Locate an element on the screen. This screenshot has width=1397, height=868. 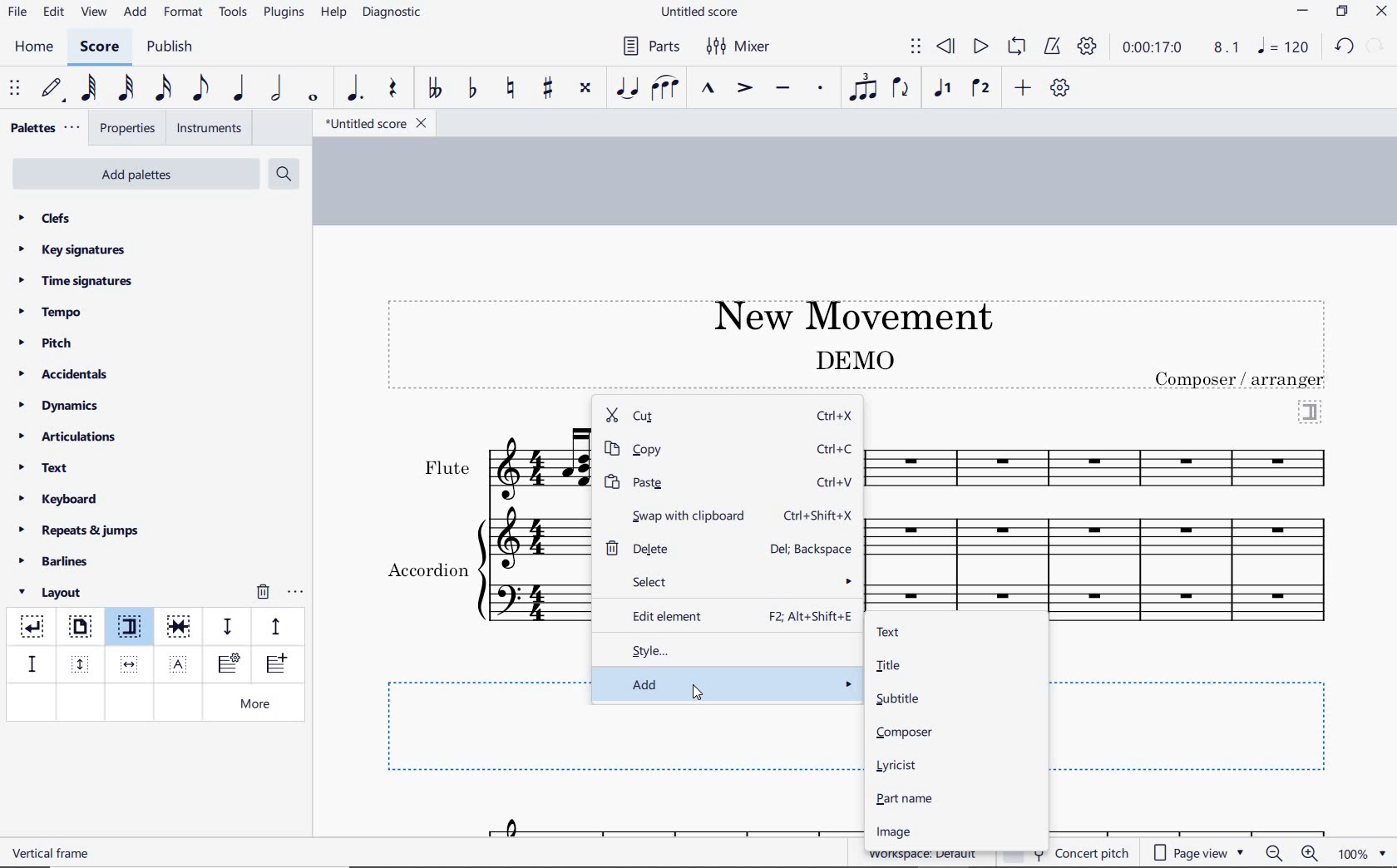
keyboard is located at coordinates (59, 499).